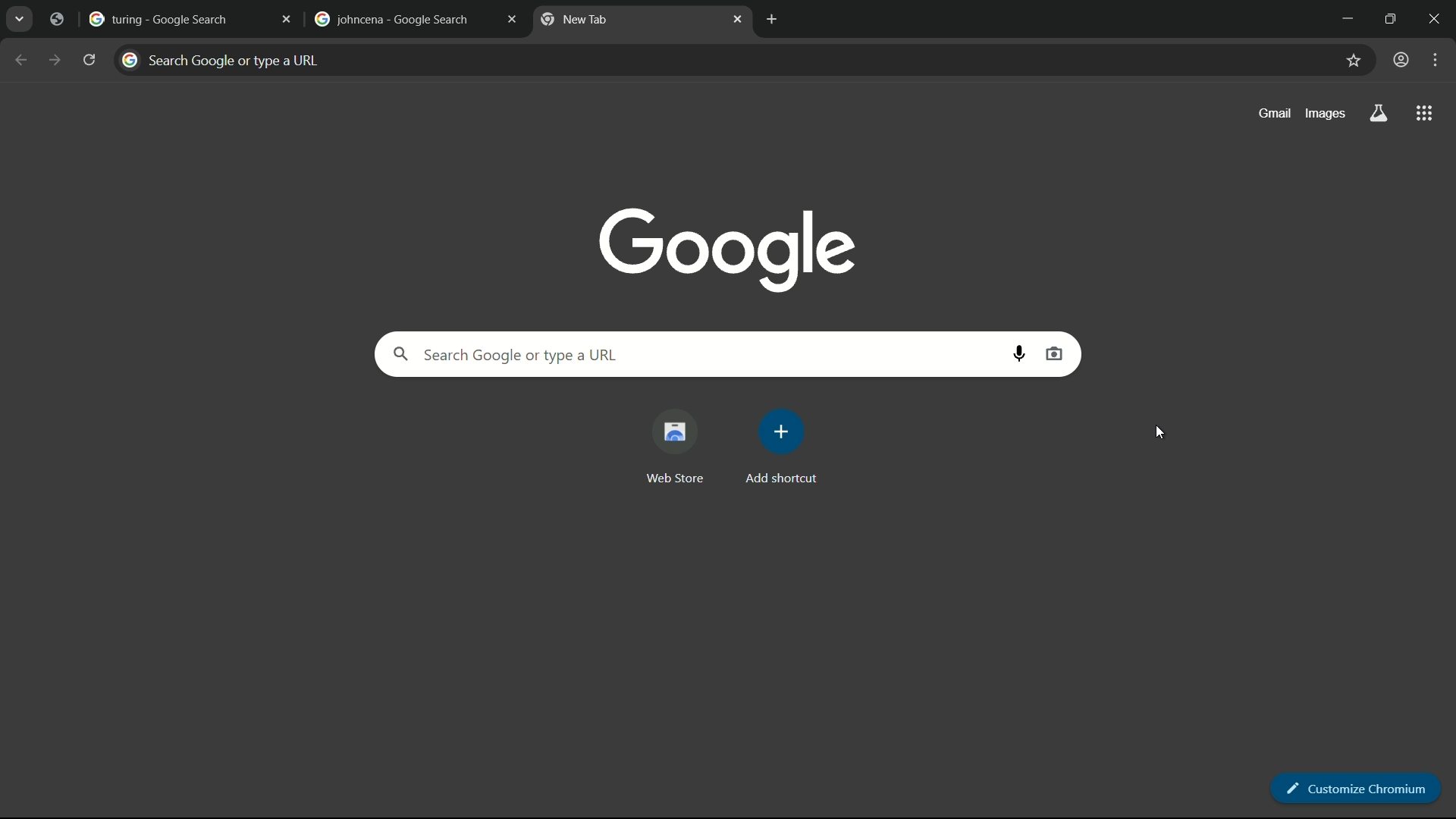 The width and height of the screenshot is (1456, 819). I want to click on close app, so click(1438, 17).